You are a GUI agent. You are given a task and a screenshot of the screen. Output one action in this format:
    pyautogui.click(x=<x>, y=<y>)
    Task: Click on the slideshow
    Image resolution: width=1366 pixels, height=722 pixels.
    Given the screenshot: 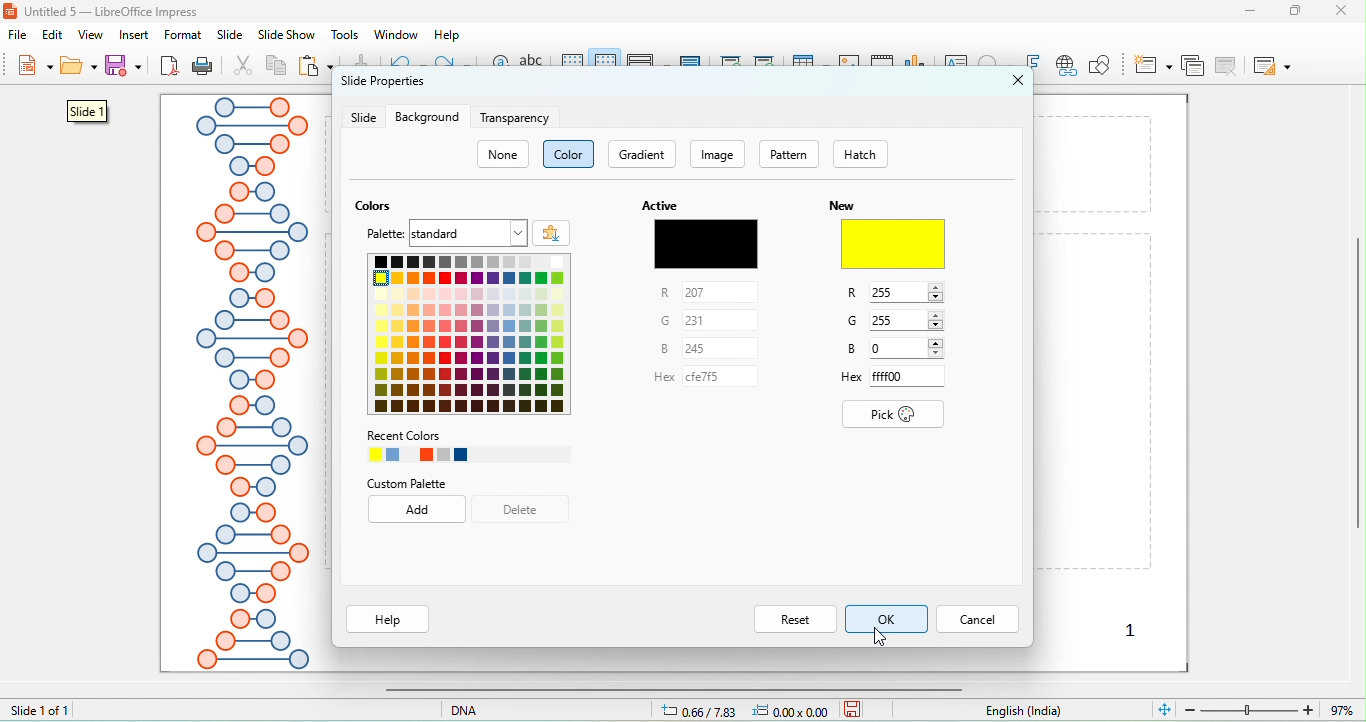 What is the action you would take?
    pyautogui.click(x=285, y=36)
    